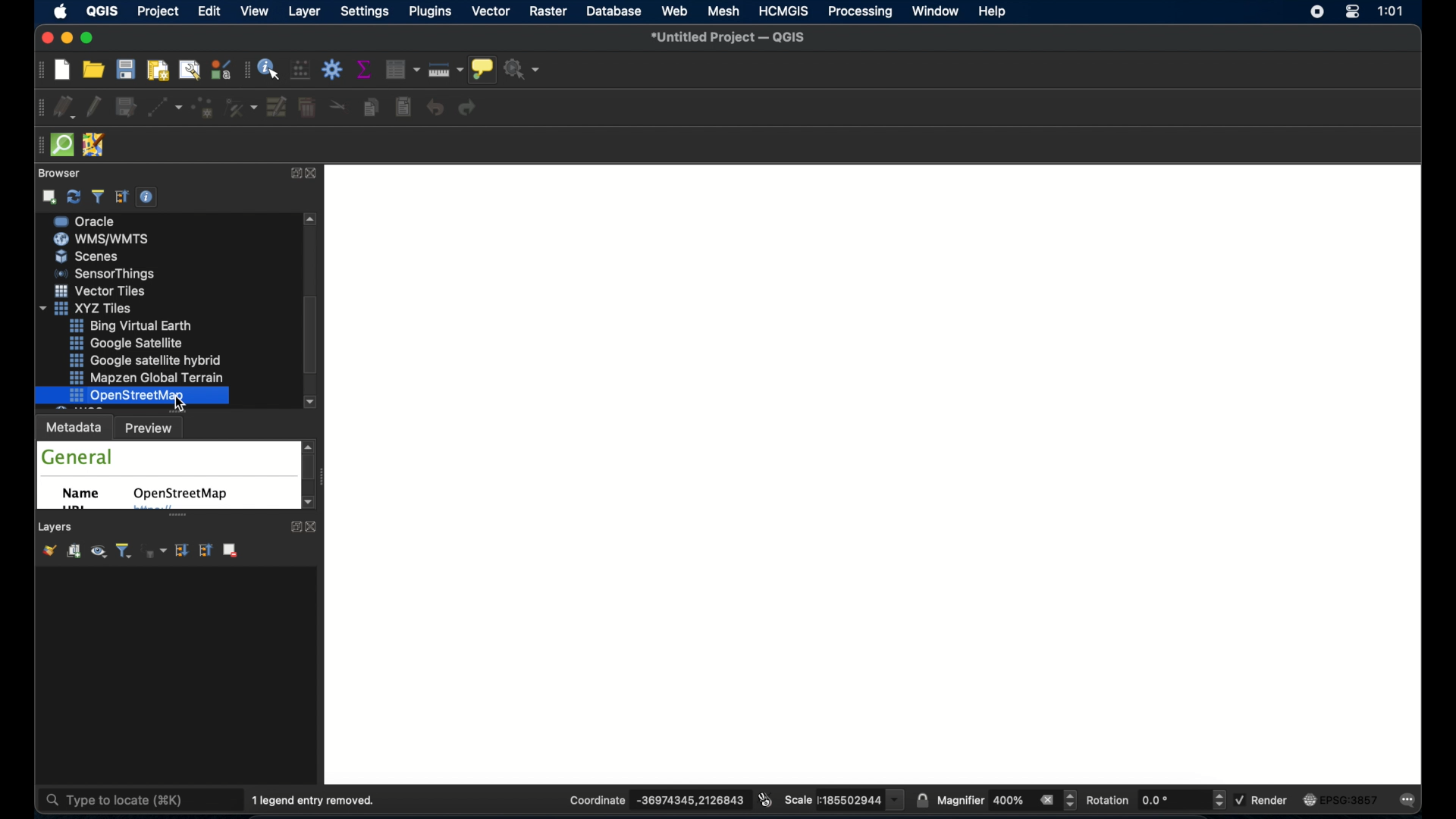  I want to click on digitizing toolbar, so click(36, 108).